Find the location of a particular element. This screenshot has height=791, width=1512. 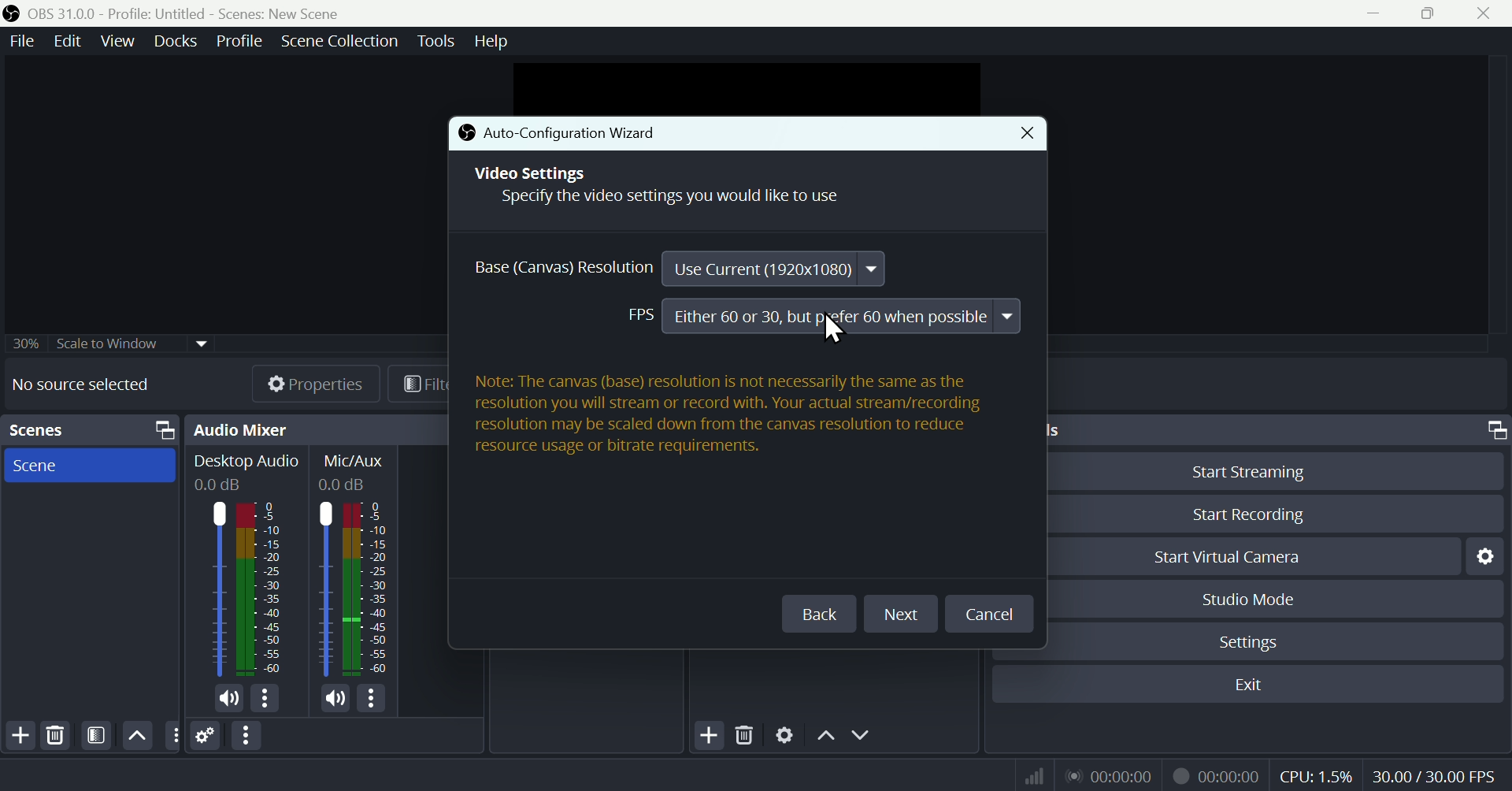

Signal is located at coordinates (1028, 775).